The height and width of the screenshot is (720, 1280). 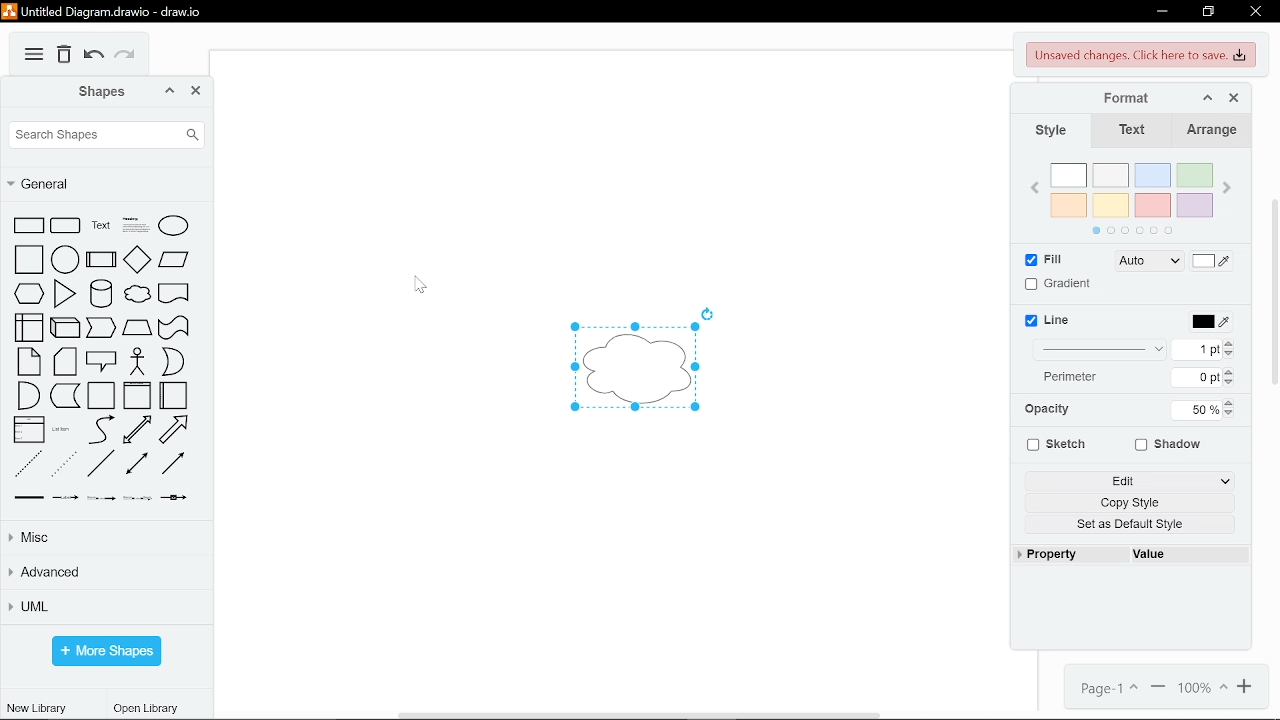 What do you see at coordinates (102, 463) in the screenshot?
I see `line` at bounding box center [102, 463].